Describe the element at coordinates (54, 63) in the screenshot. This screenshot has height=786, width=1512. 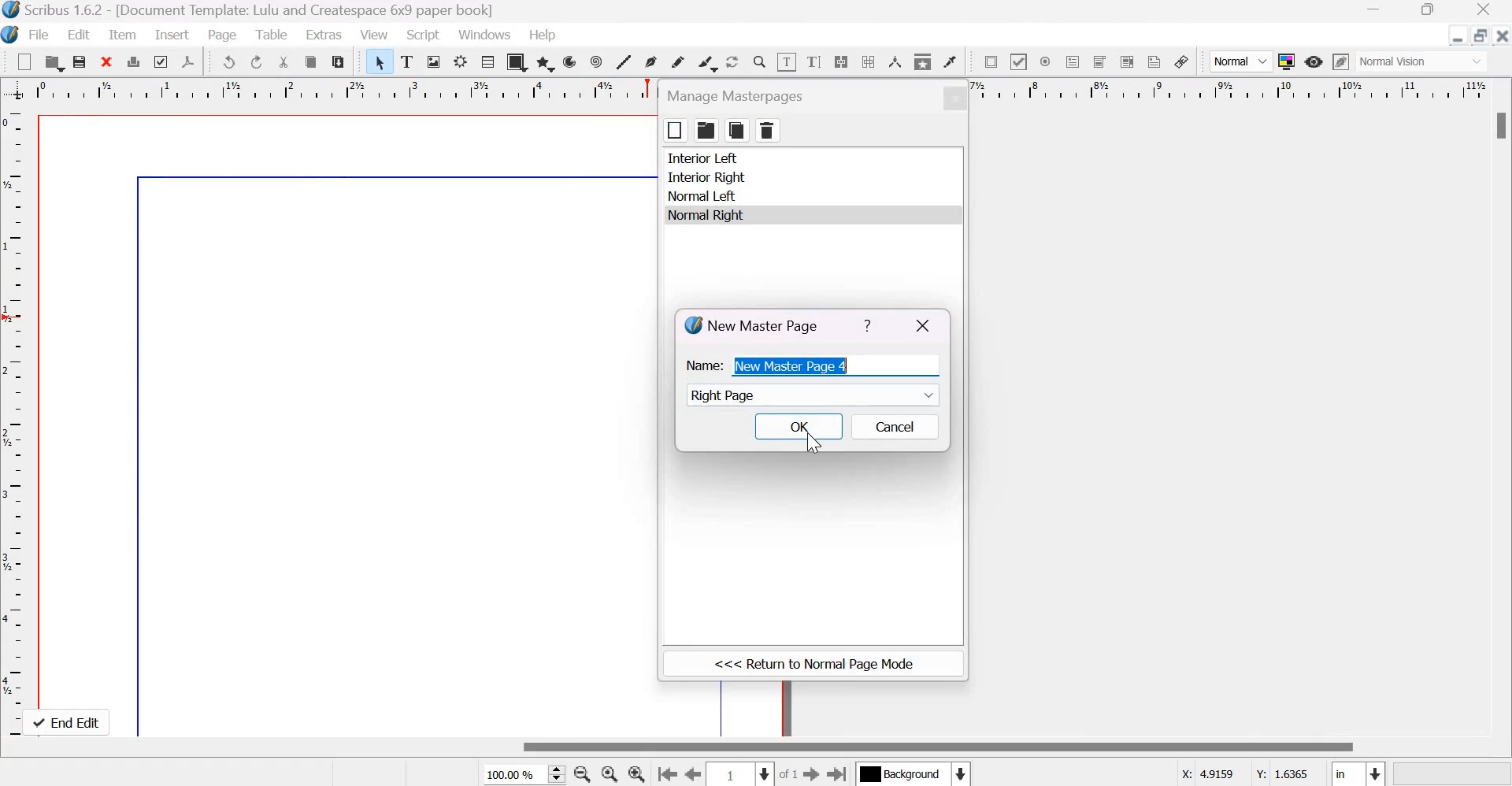
I see `open` at that location.